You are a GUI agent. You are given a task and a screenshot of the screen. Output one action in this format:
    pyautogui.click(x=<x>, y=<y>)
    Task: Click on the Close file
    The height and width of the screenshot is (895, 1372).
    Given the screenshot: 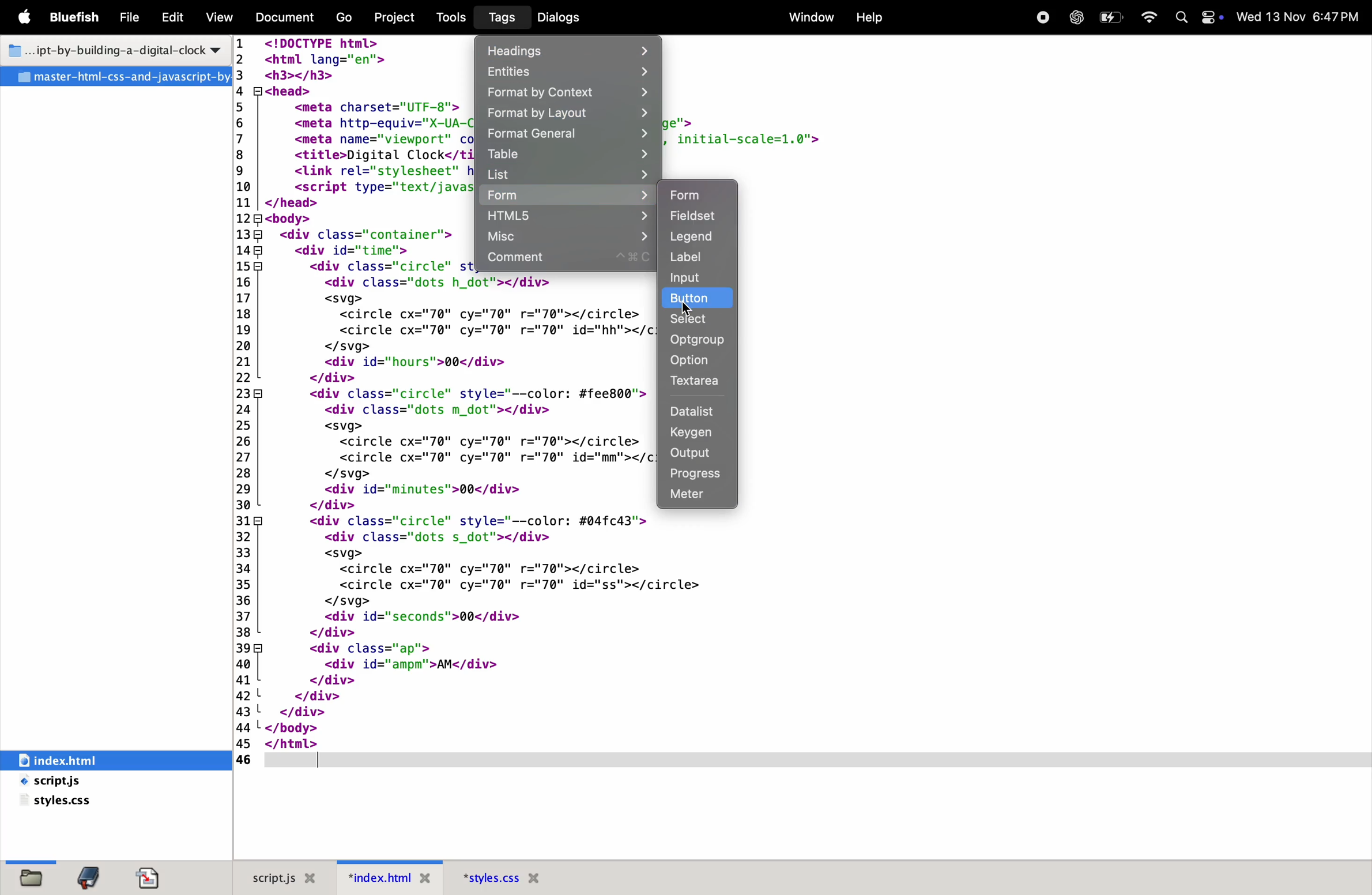 What is the action you would take?
    pyautogui.click(x=425, y=880)
    